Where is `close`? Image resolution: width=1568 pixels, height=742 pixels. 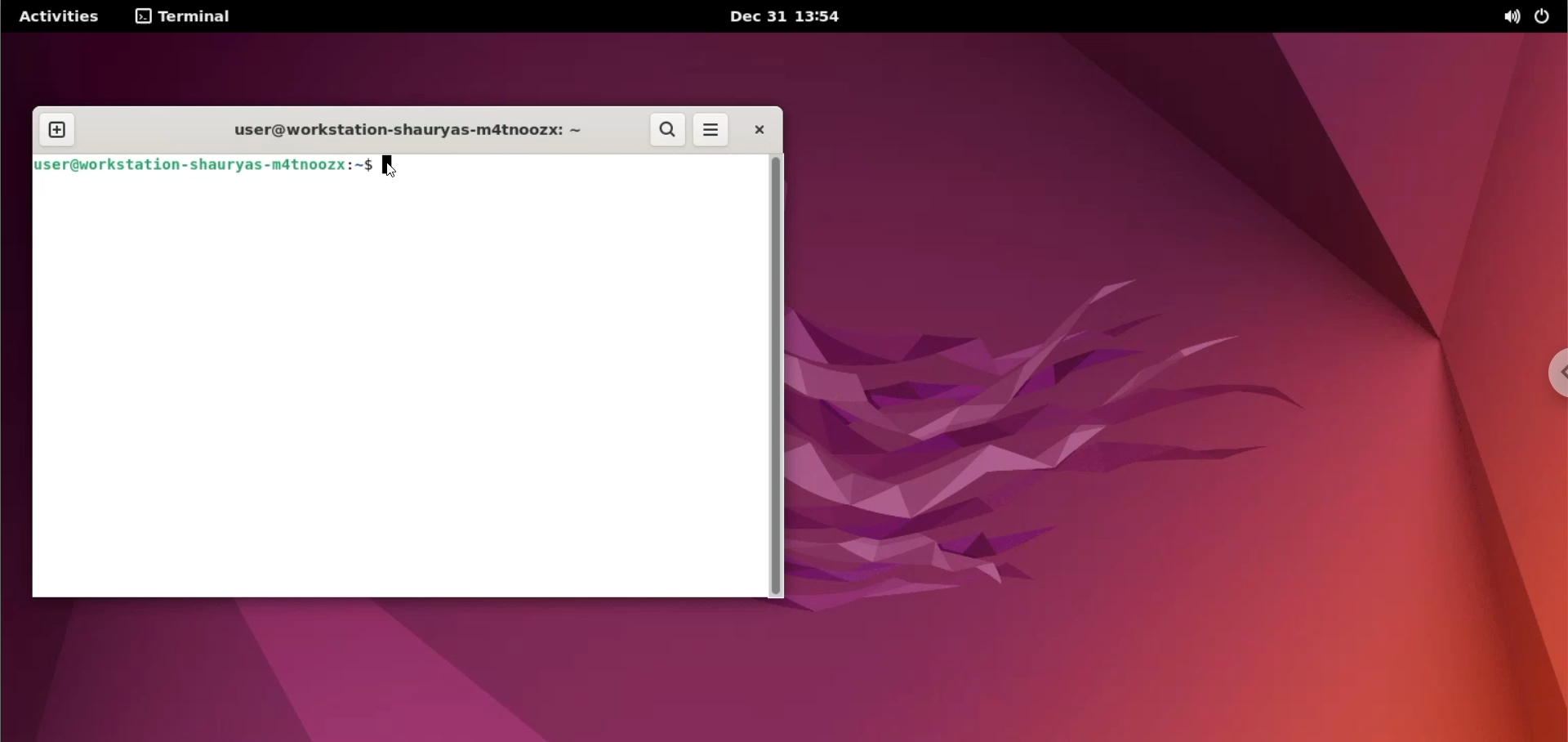 close is located at coordinates (755, 131).